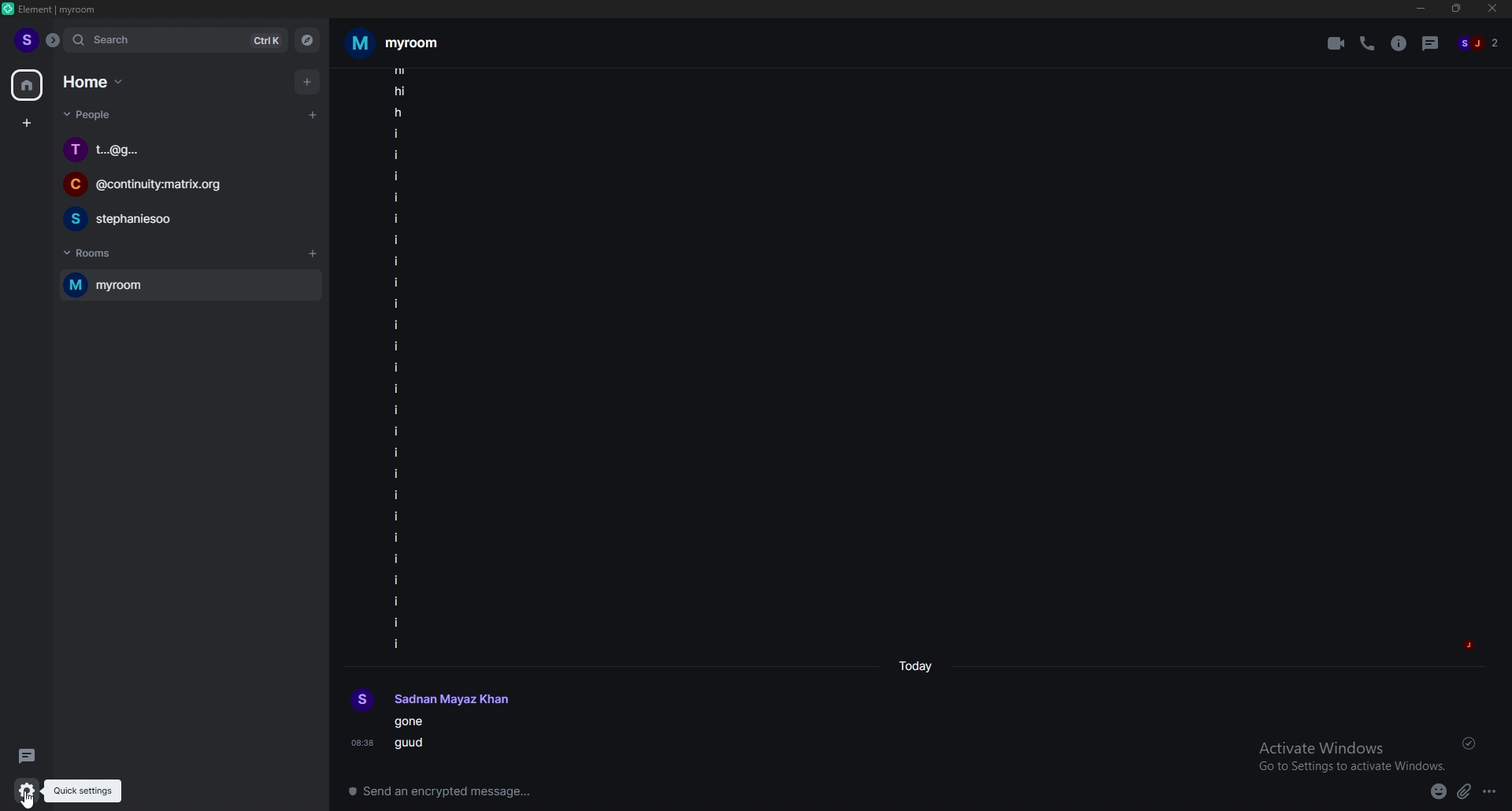  I want to click on more options, so click(1491, 793).